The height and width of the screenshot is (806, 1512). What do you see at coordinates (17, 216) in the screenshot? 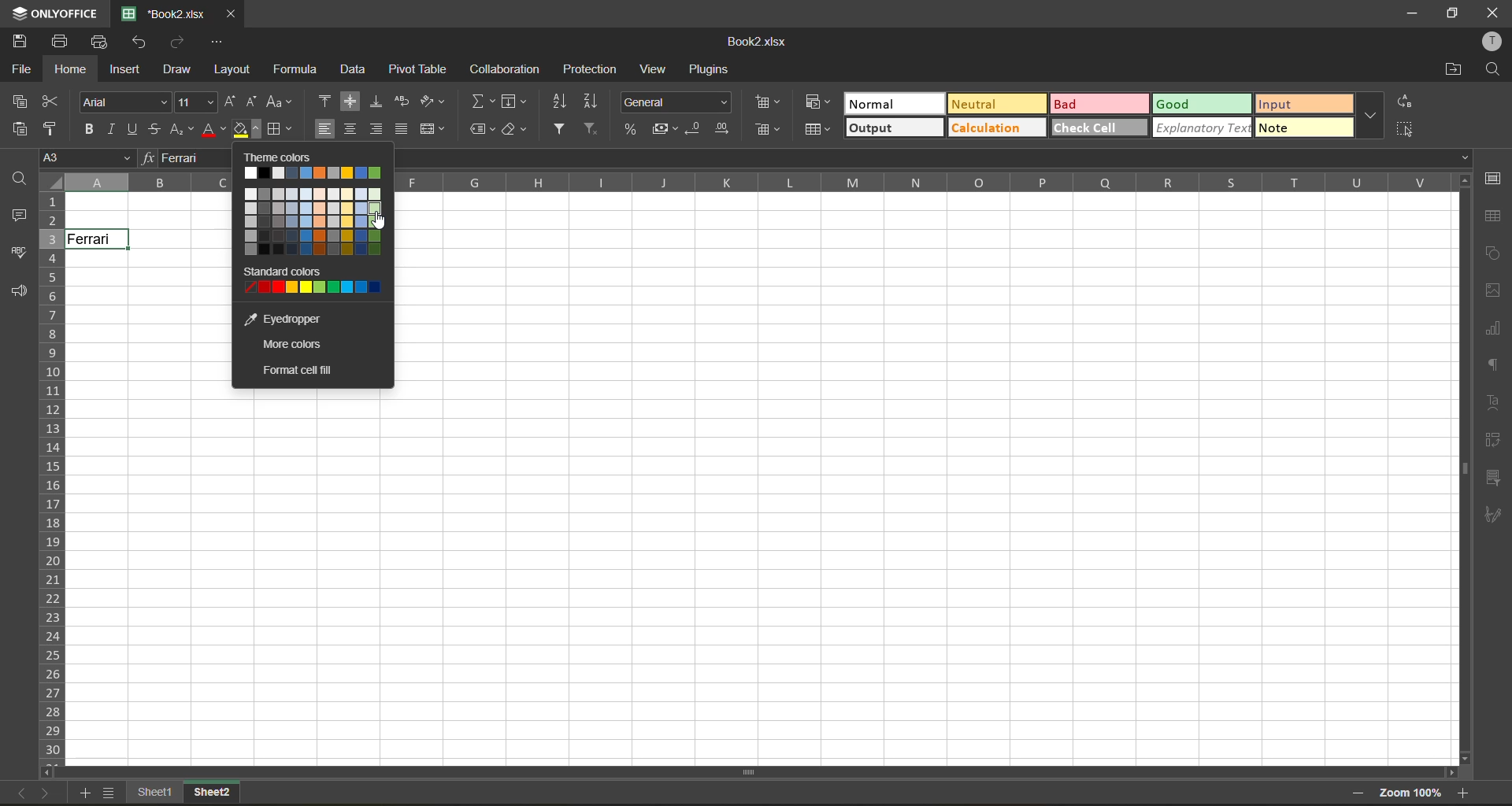
I see `comments` at bounding box center [17, 216].